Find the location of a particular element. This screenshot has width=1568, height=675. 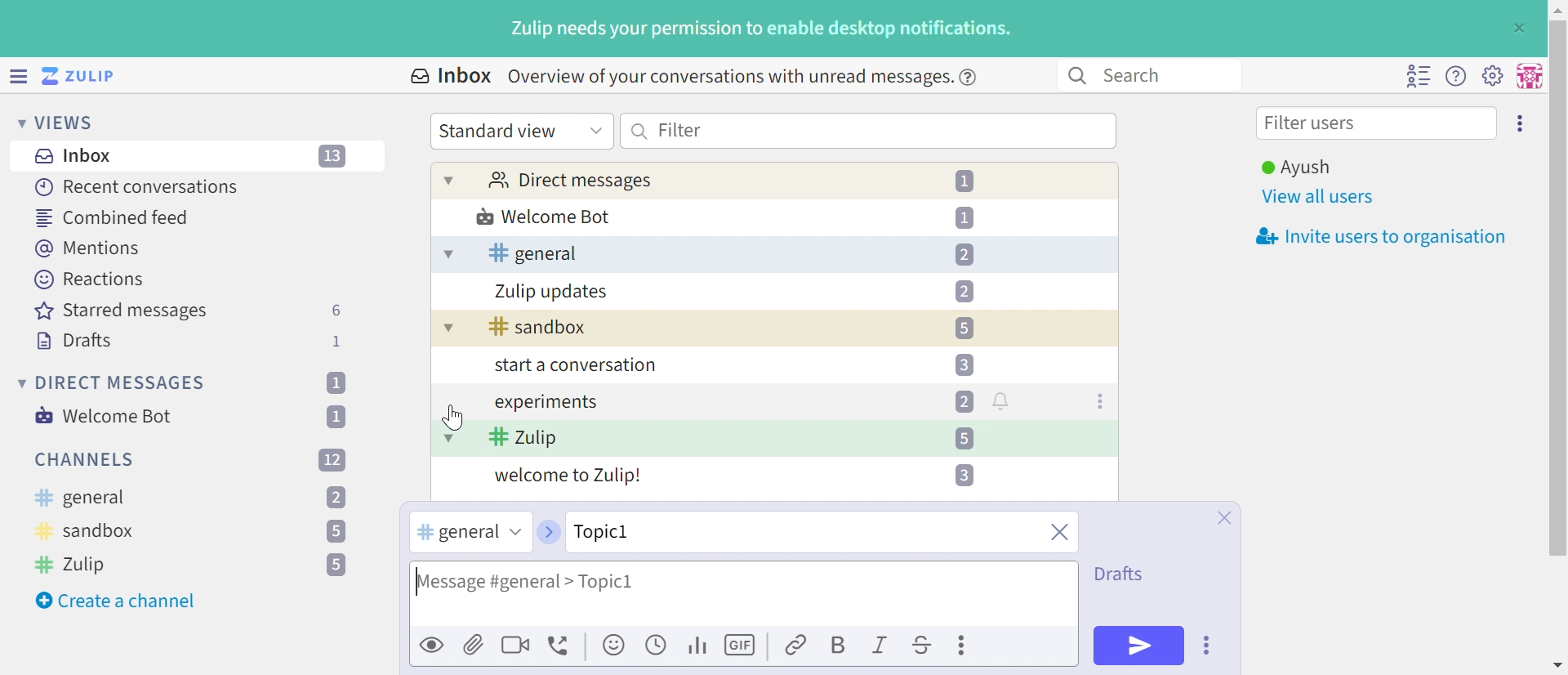

sandbox is located at coordinates (538, 328).